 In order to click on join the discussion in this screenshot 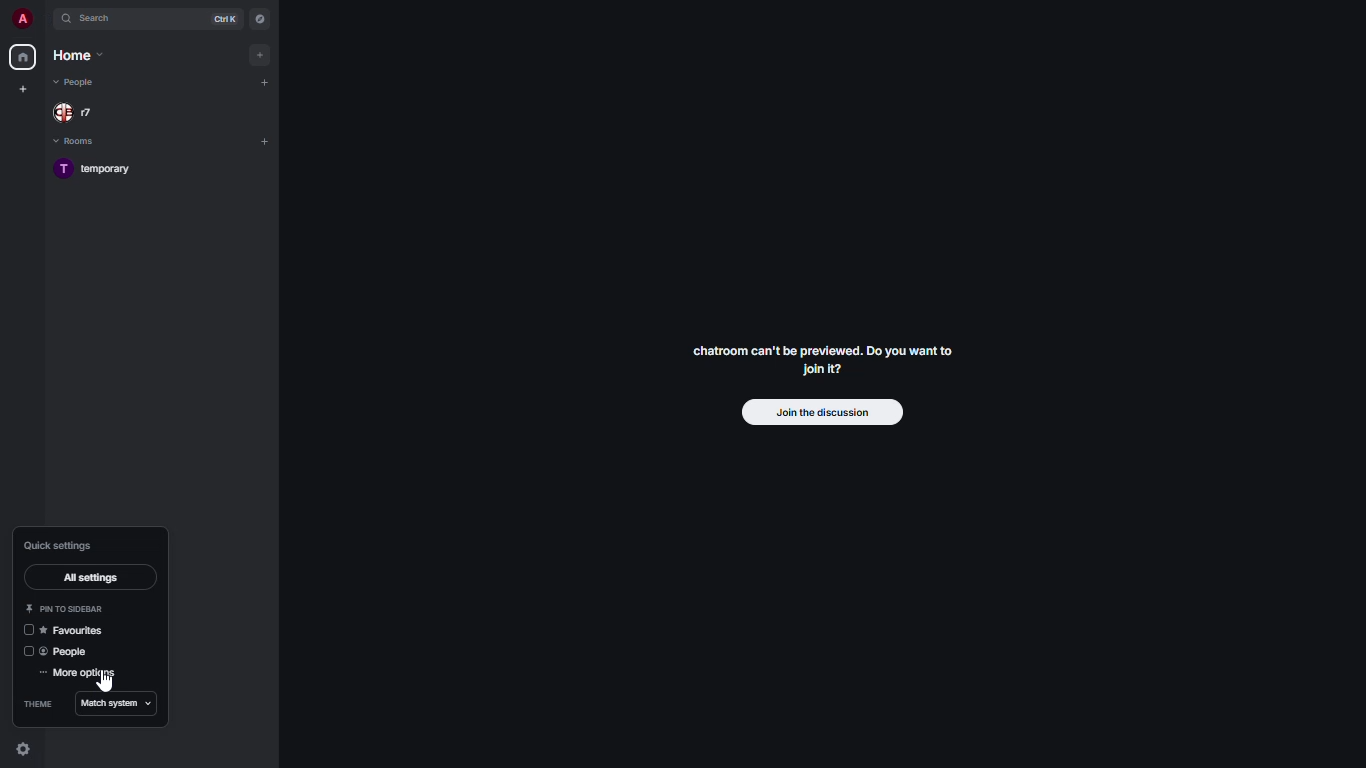, I will do `click(824, 413)`.